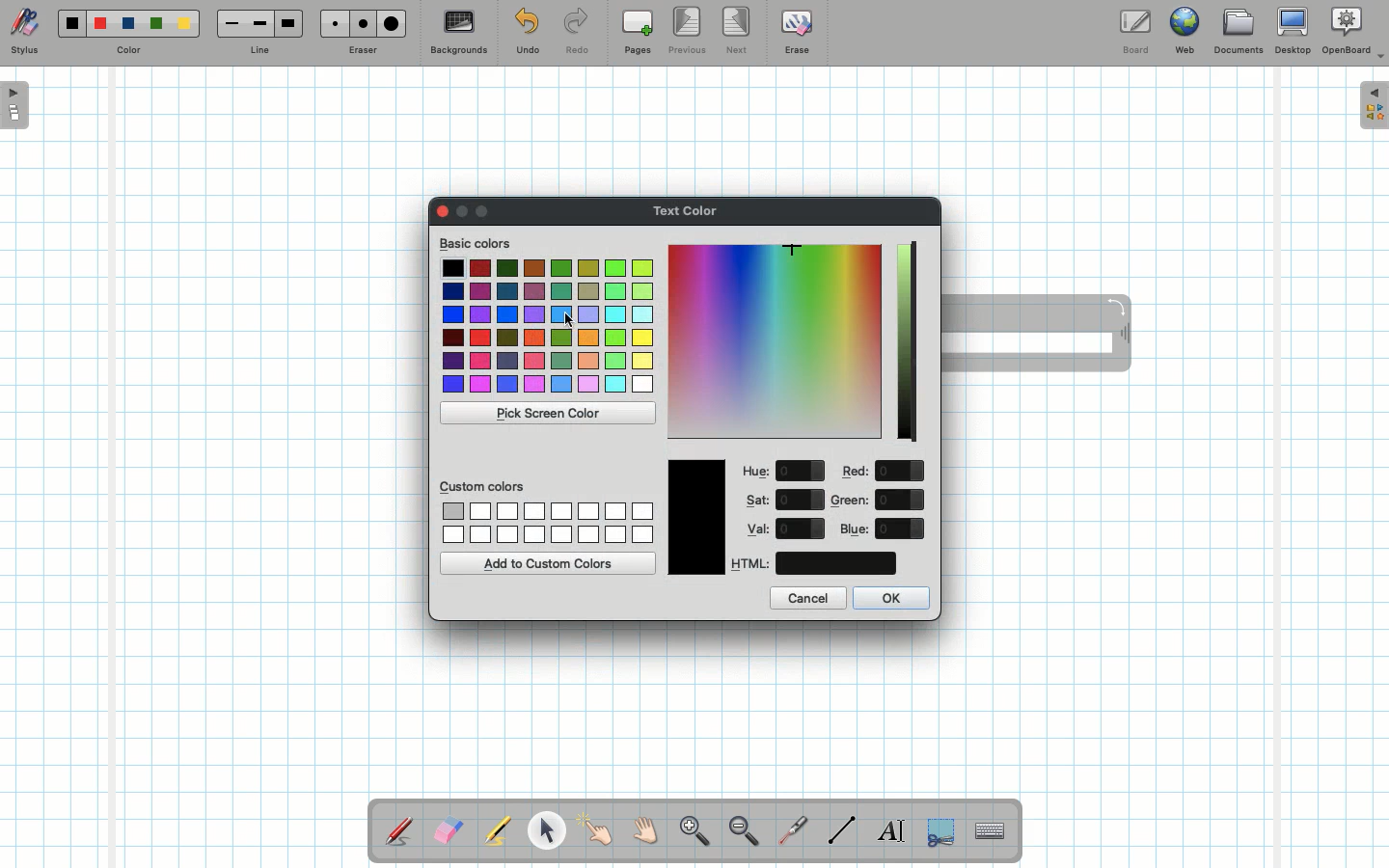 Image resolution: width=1389 pixels, height=868 pixels. What do you see at coordinates (901, 472) in the screenshot?
I see `value` at bounding box center [901, 472].